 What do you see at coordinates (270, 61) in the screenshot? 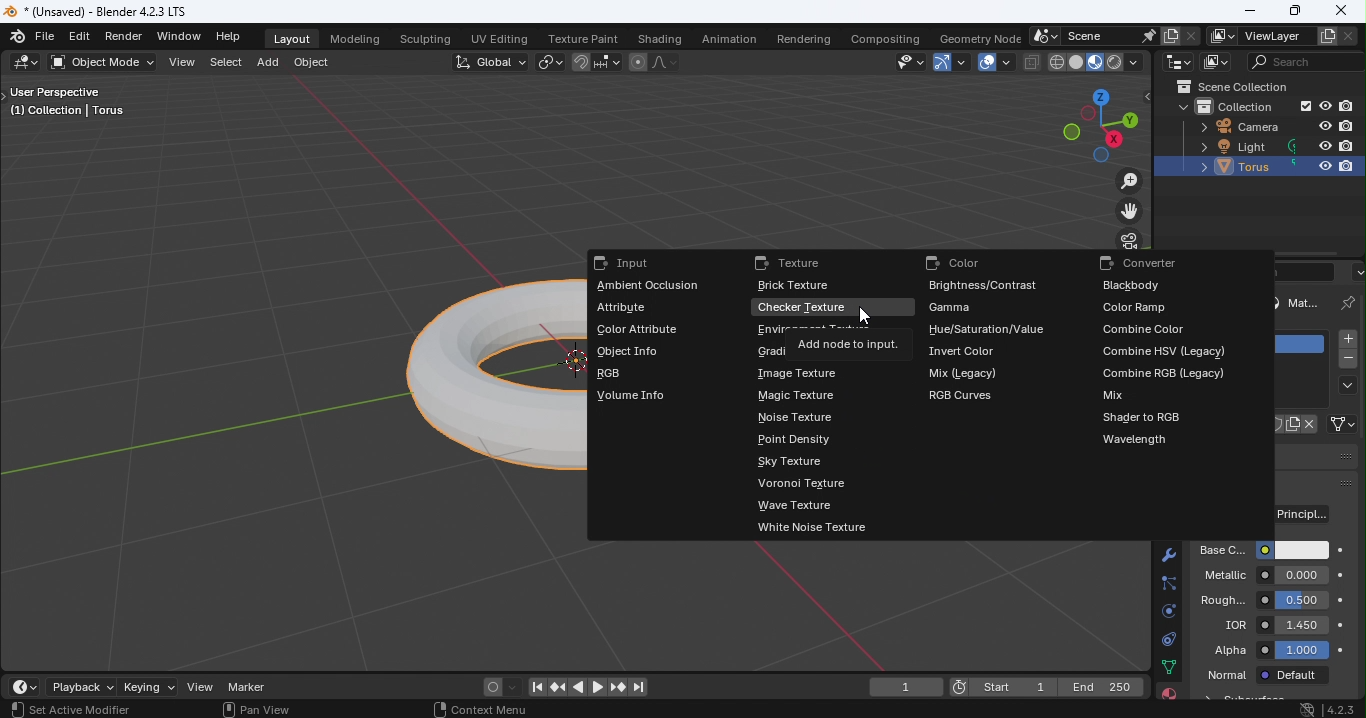
I see `Add` at bounding box center [270, 61].